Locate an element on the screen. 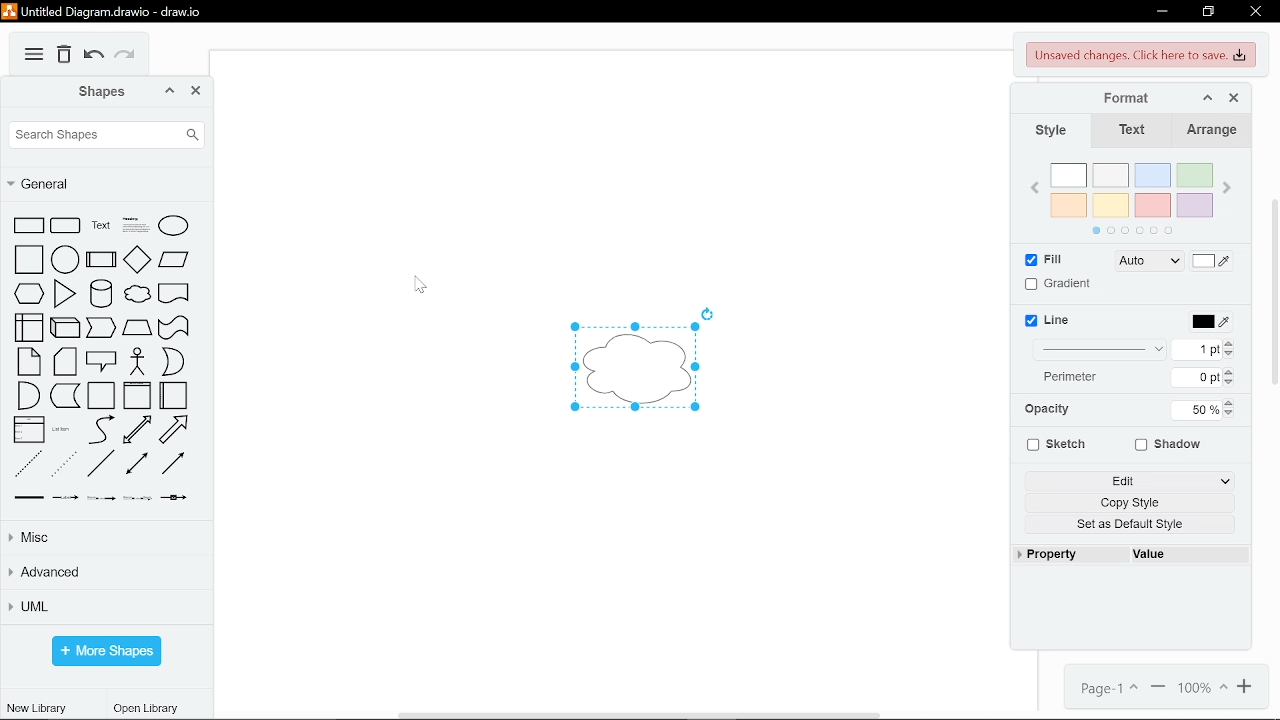 This screenshot has width=1280, height=720. general is located at coordinates (106, 186).